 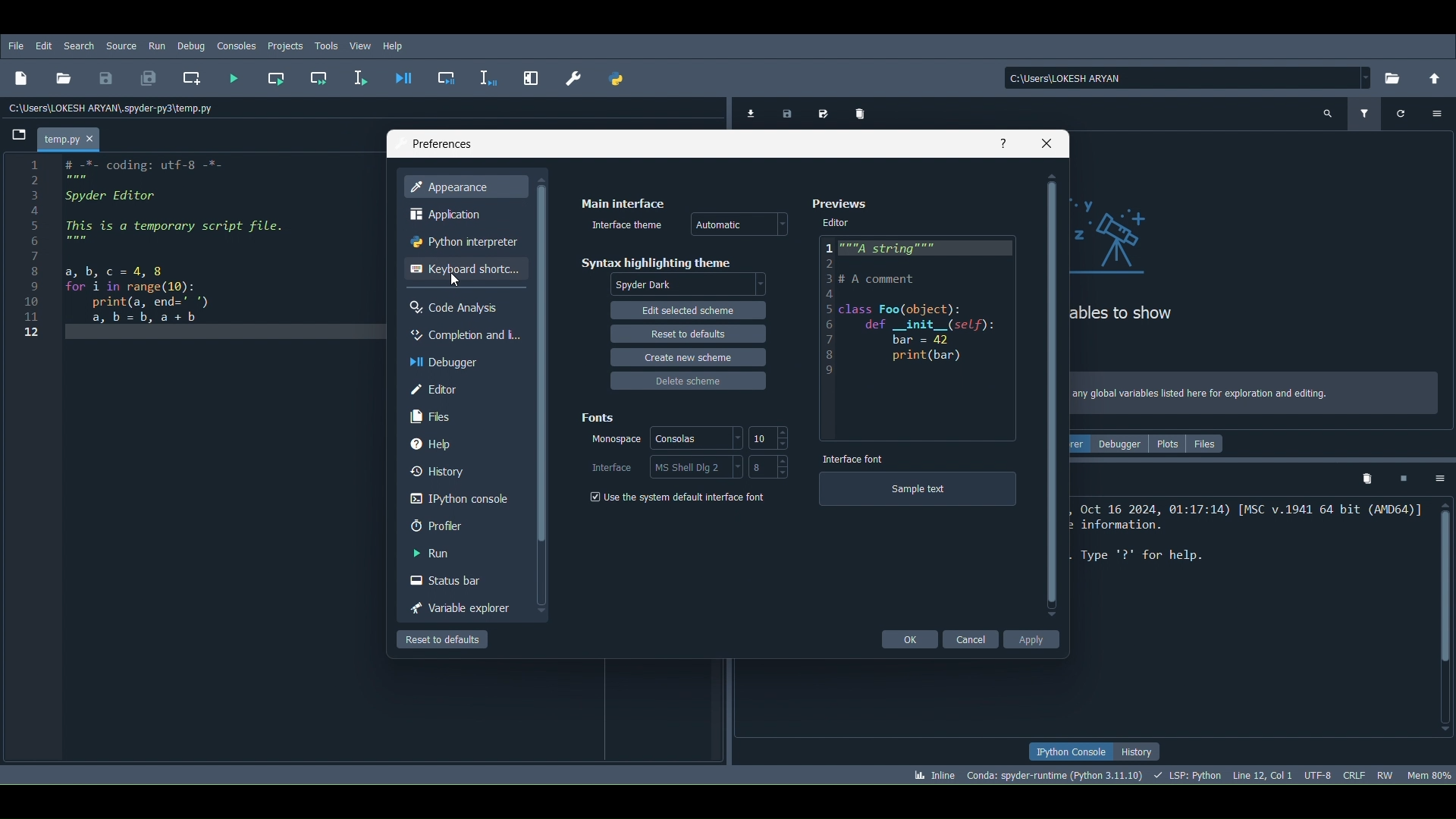 I want to click on Maximize current pane (Ctrl + Alt + Shift + M), so click(x=532, y=76).